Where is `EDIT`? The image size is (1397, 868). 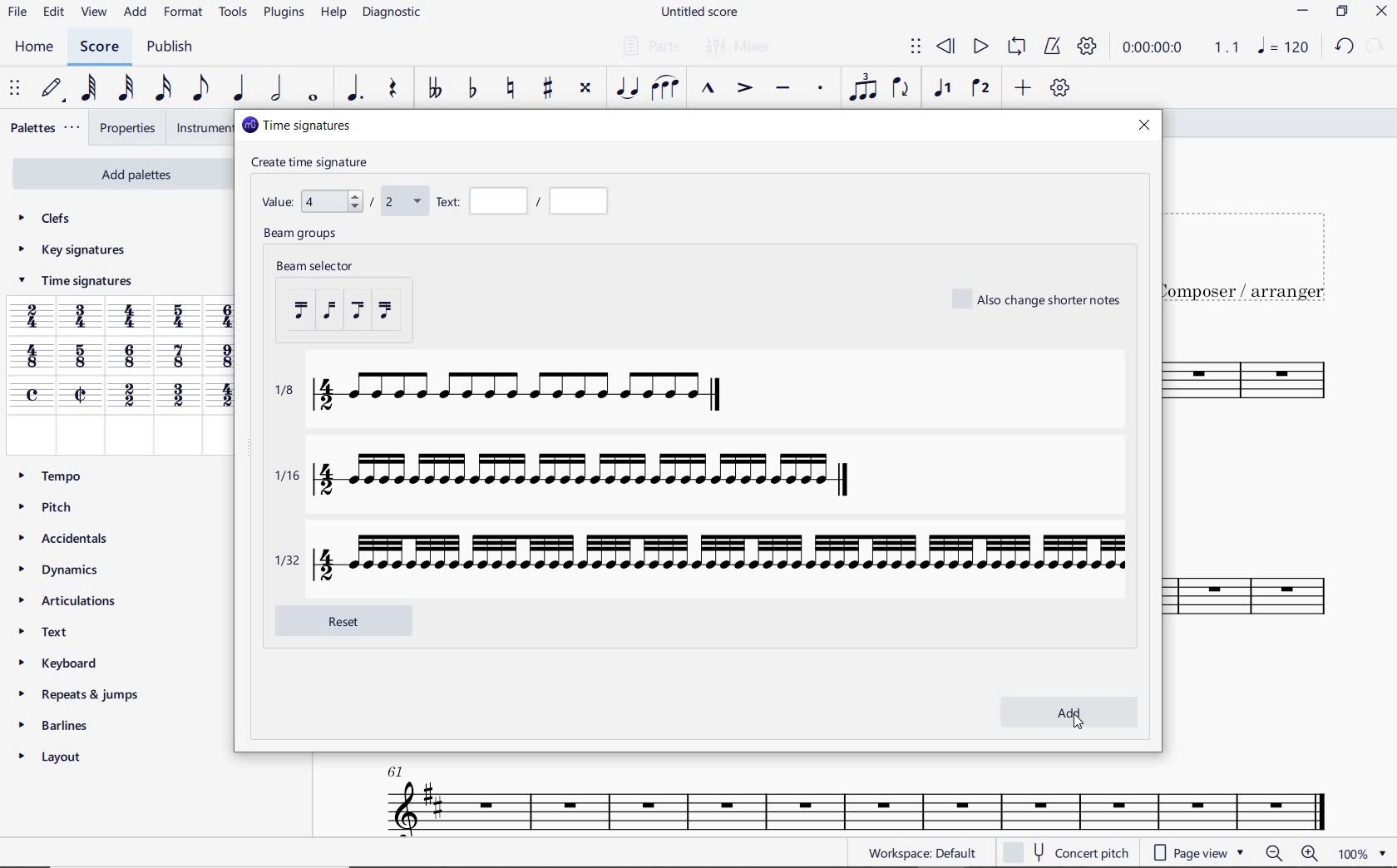
EDIT is located at coordinates (54, 12).